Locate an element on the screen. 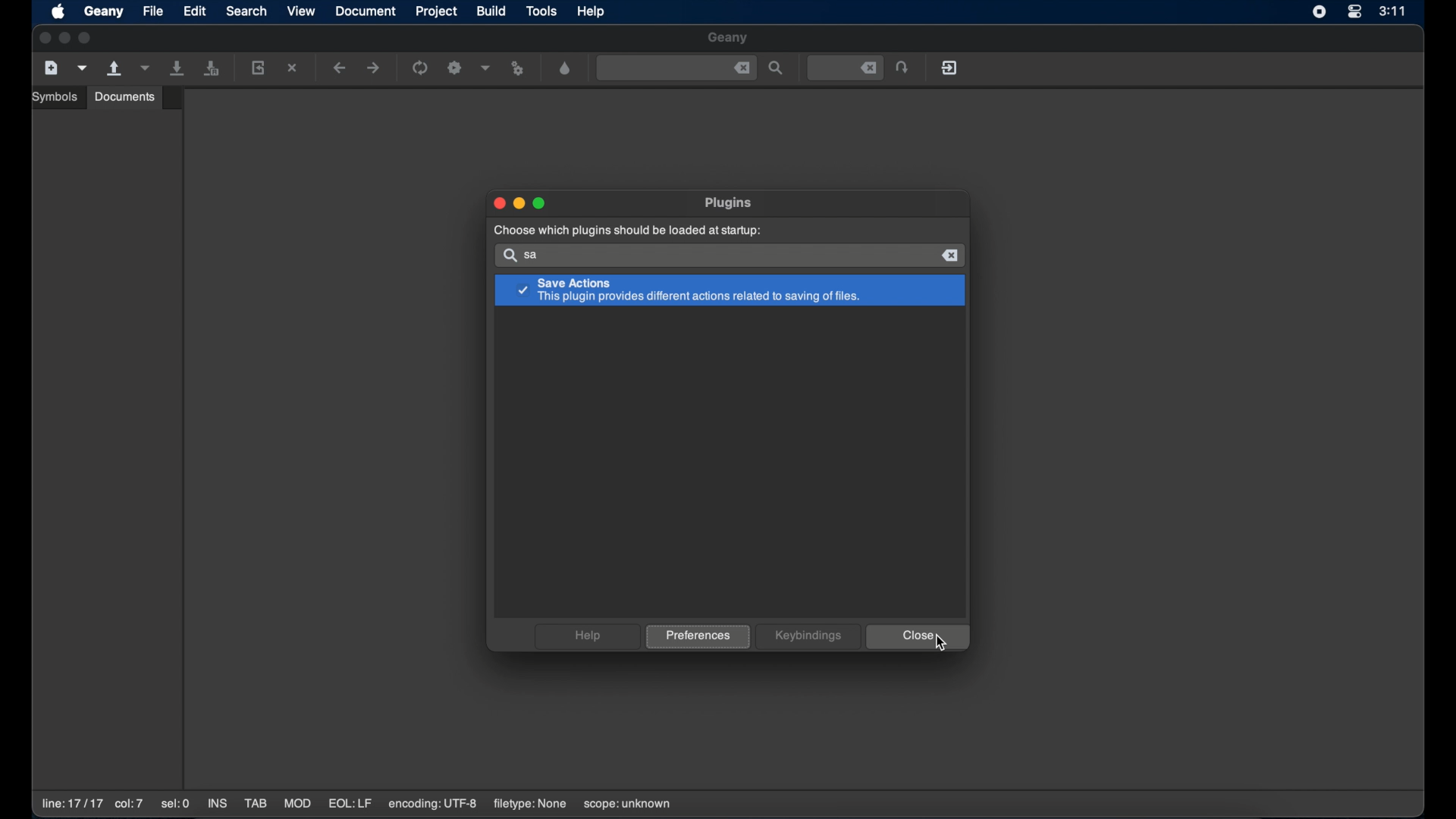 The height and width of the screenshot is (819, 1456). search is located at coordinates (246, 11).